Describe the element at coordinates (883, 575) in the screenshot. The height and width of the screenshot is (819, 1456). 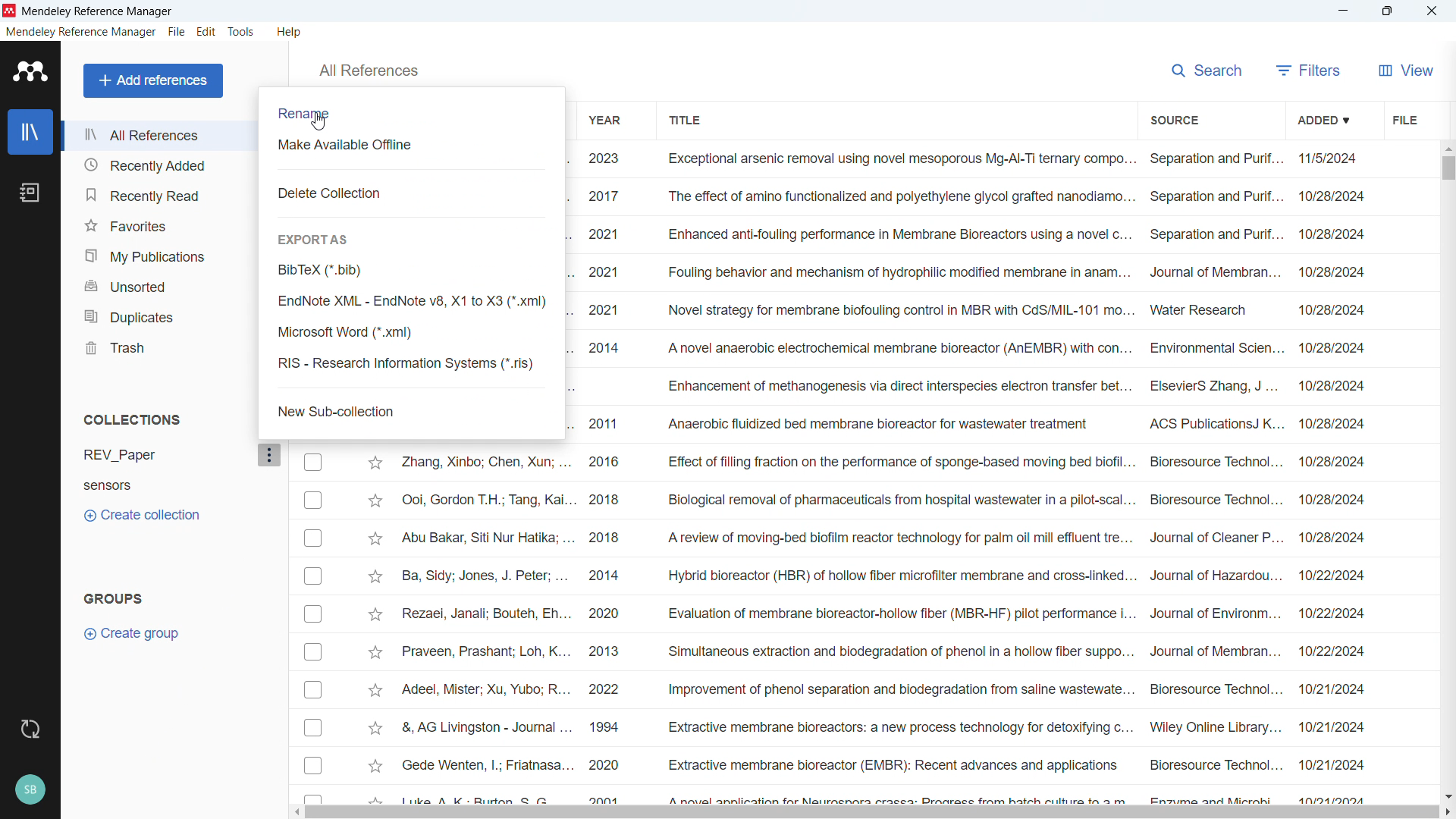
I see `Ba, Sidy; Jones, J. Peter; ... 2014 Hybrid bioreactor (HBR) of hollow fiber microfilter membrane and cross-linked... Journal of Hazardou... 10/22/2024` at that location.